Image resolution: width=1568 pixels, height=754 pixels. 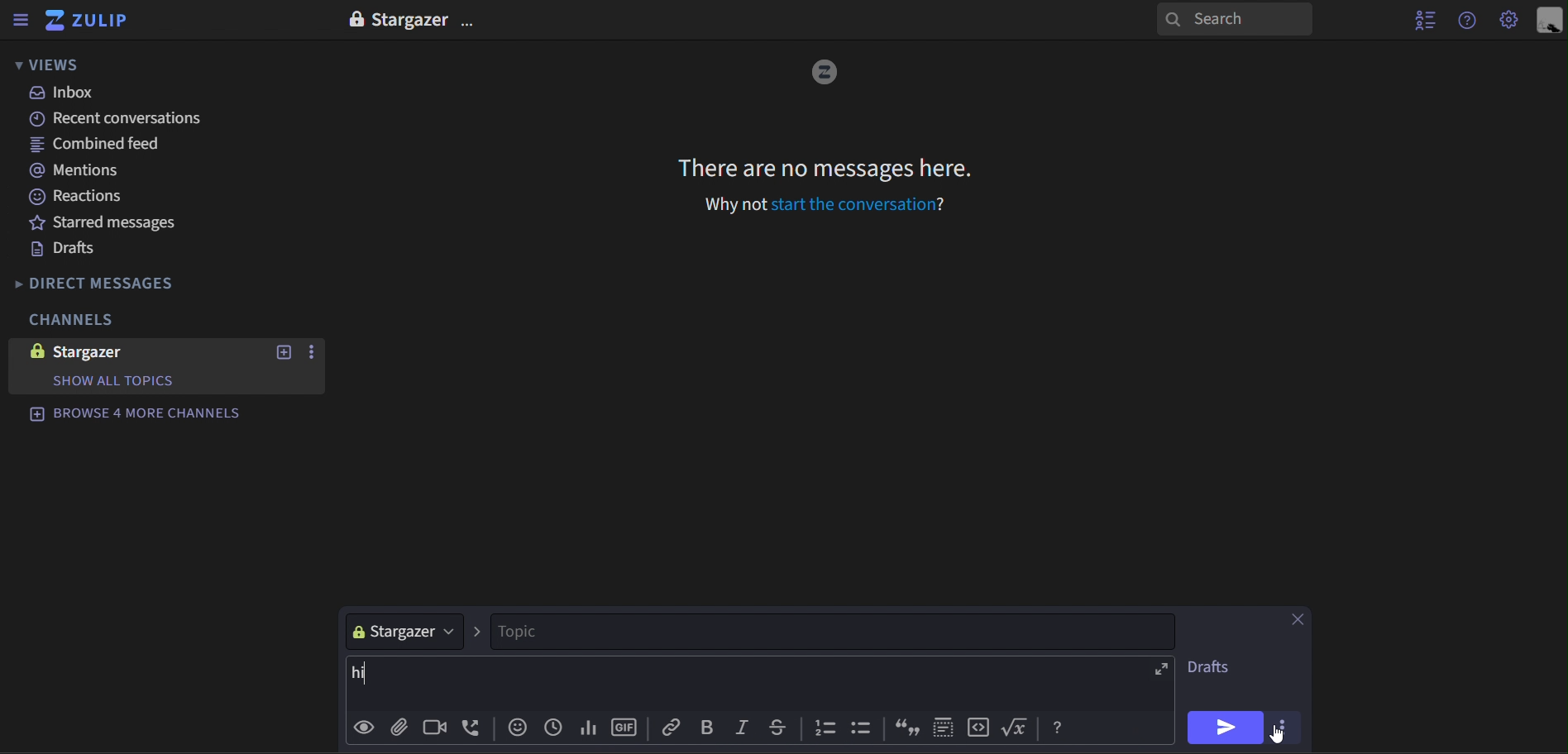 I want to click on preview, so click(x=366, y=727).